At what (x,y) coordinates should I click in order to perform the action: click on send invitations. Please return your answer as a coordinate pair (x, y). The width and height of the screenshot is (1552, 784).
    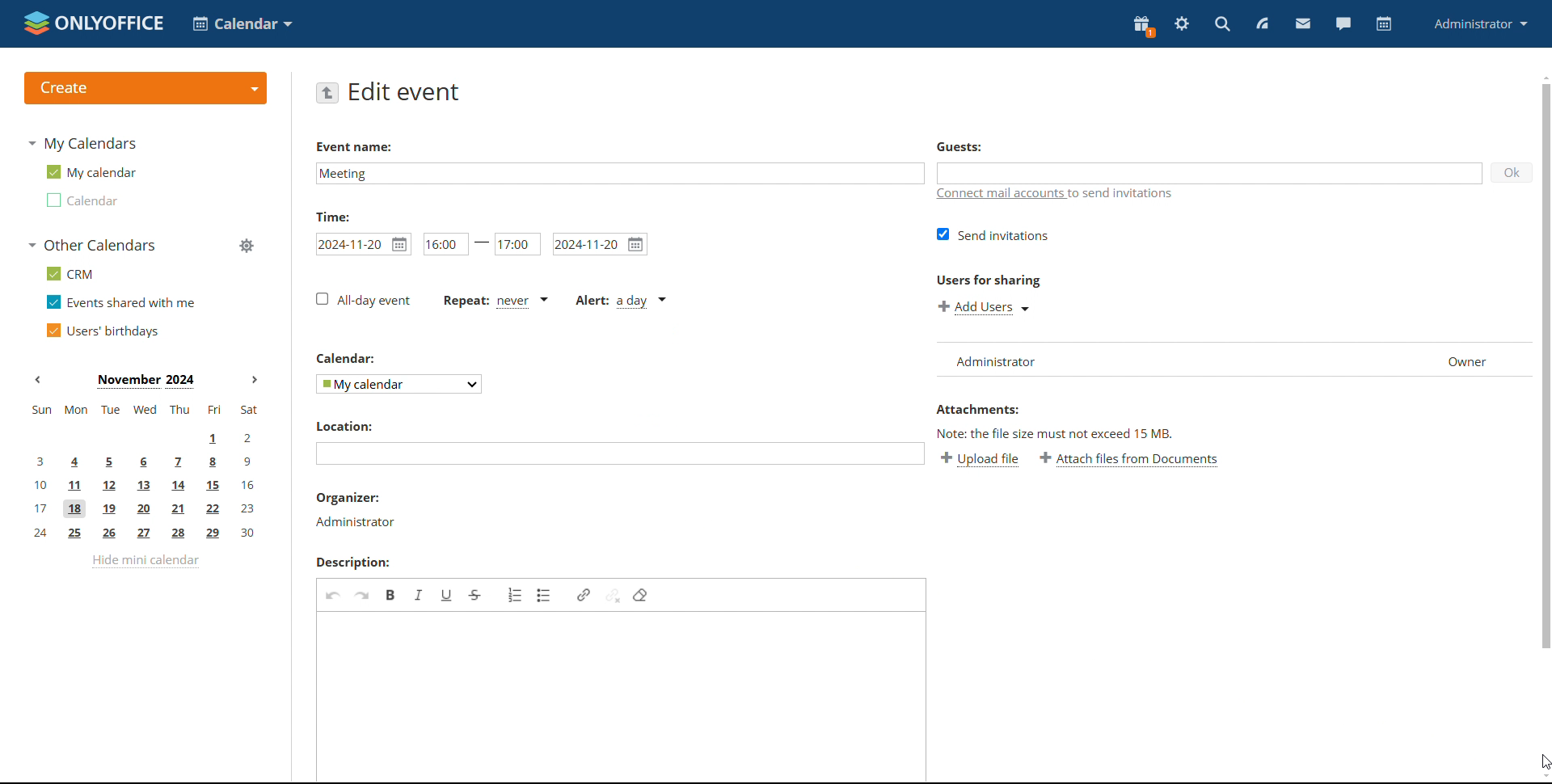
    Looking at the image, I should click on (994, 236).